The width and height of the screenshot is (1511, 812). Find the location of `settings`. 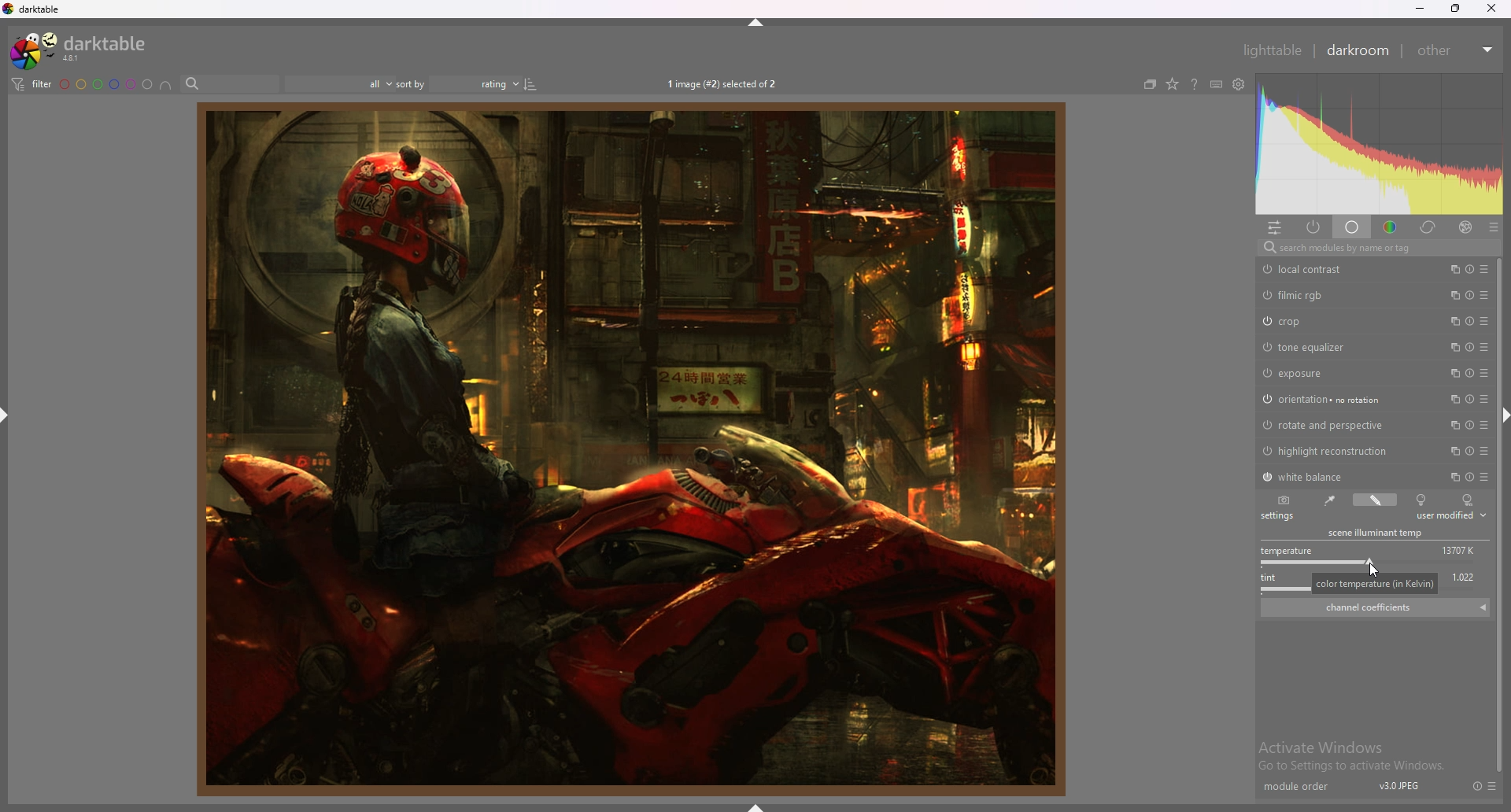

settings is located at coordinates (1280, 516).